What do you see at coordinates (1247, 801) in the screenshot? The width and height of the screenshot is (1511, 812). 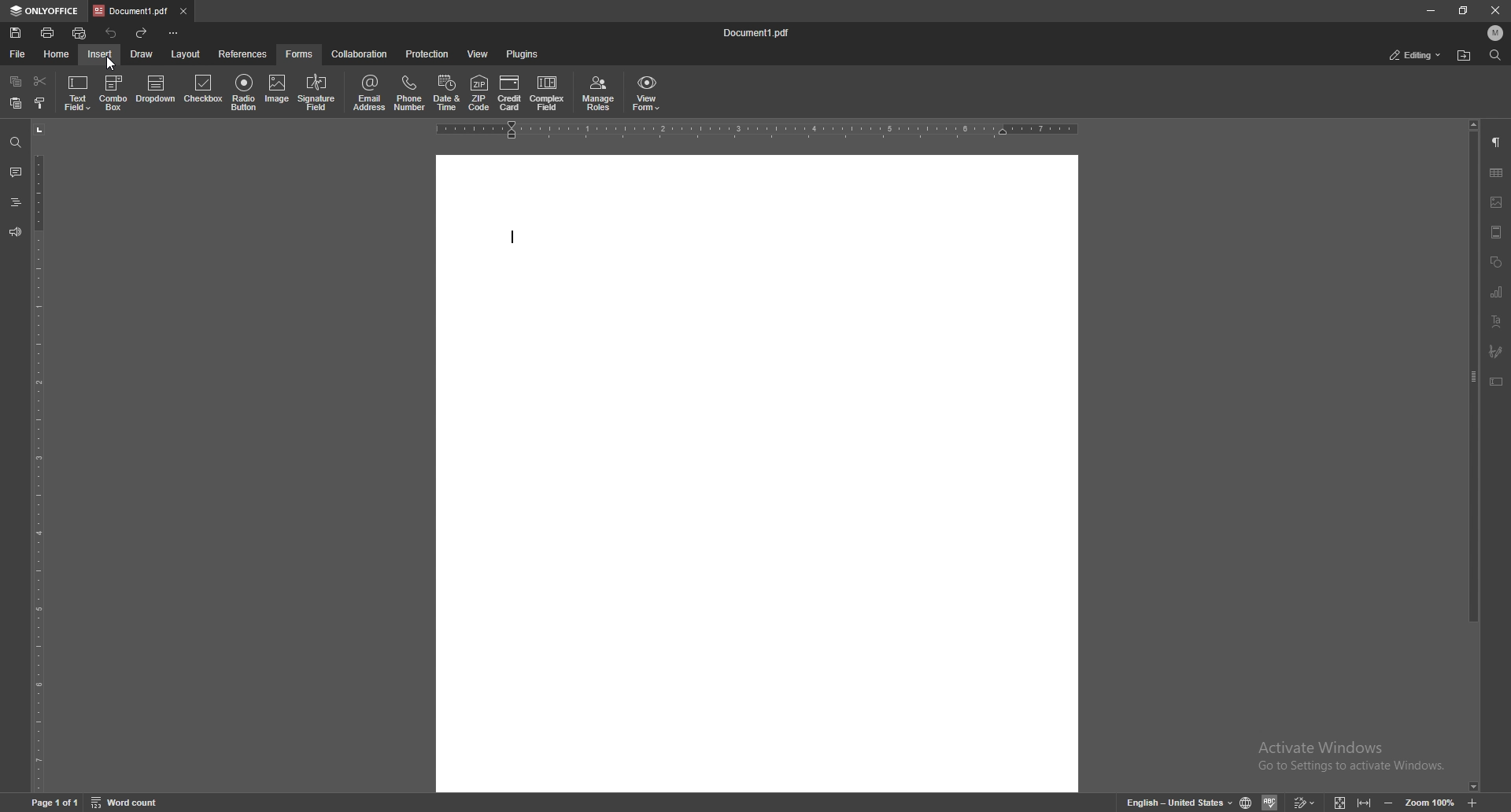 I see `change doc language` at bounding box center [1247, 801].